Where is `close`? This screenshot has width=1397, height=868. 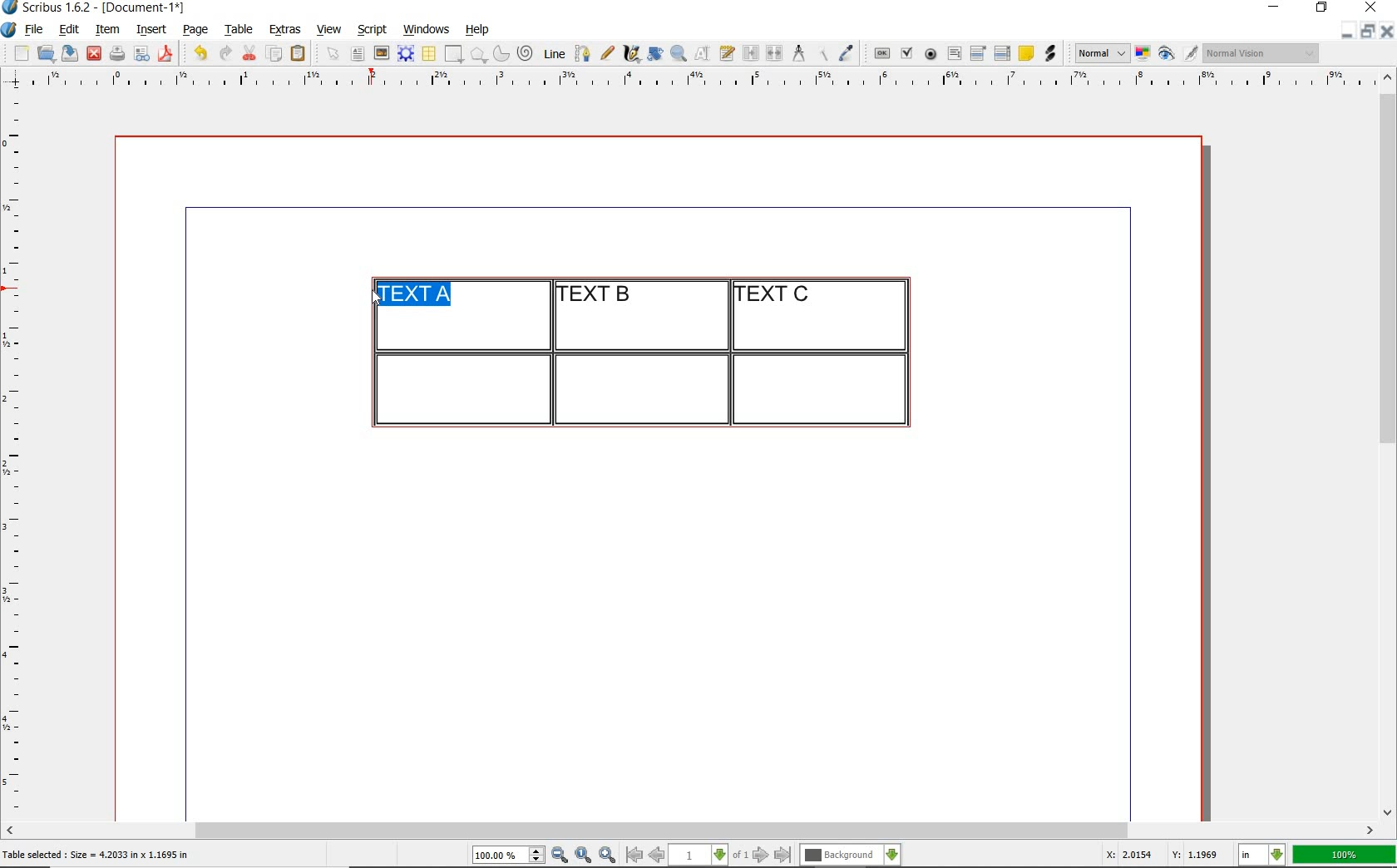
close is located at coordinates (94, 54).